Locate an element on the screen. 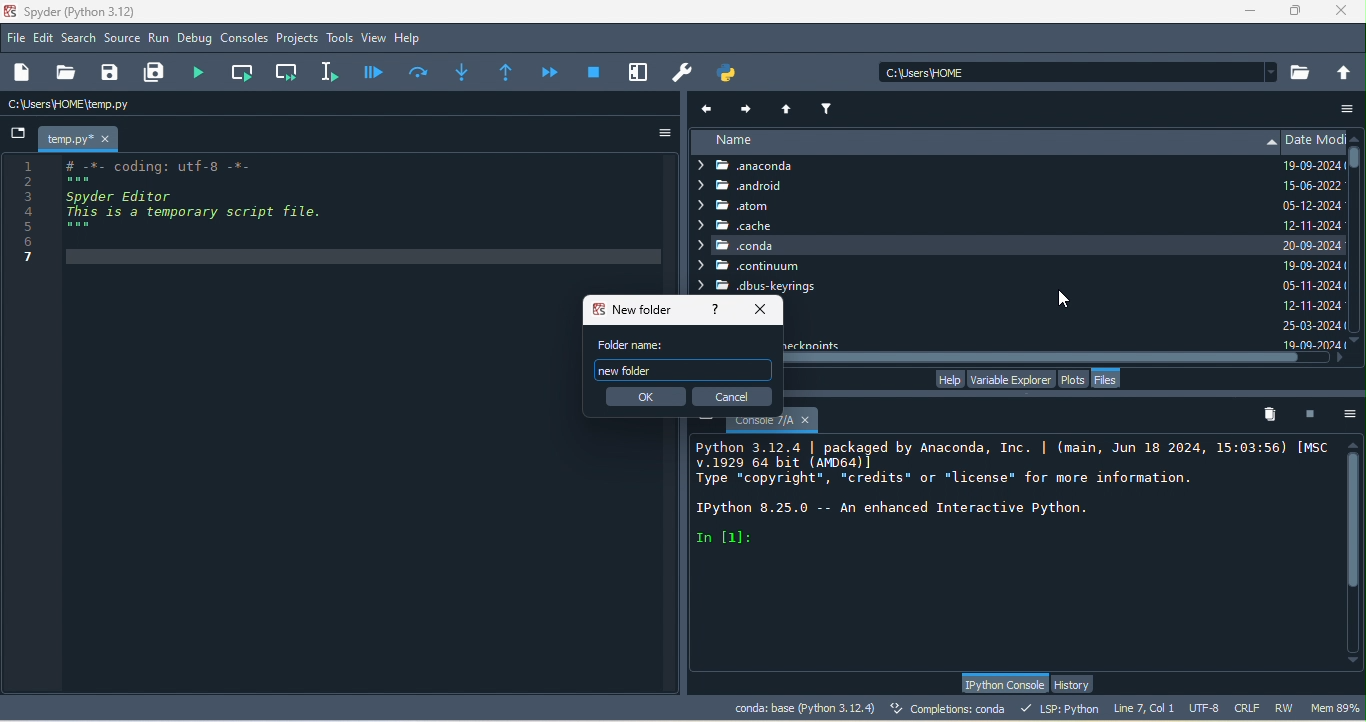  help is located at coordinates (412, 39).